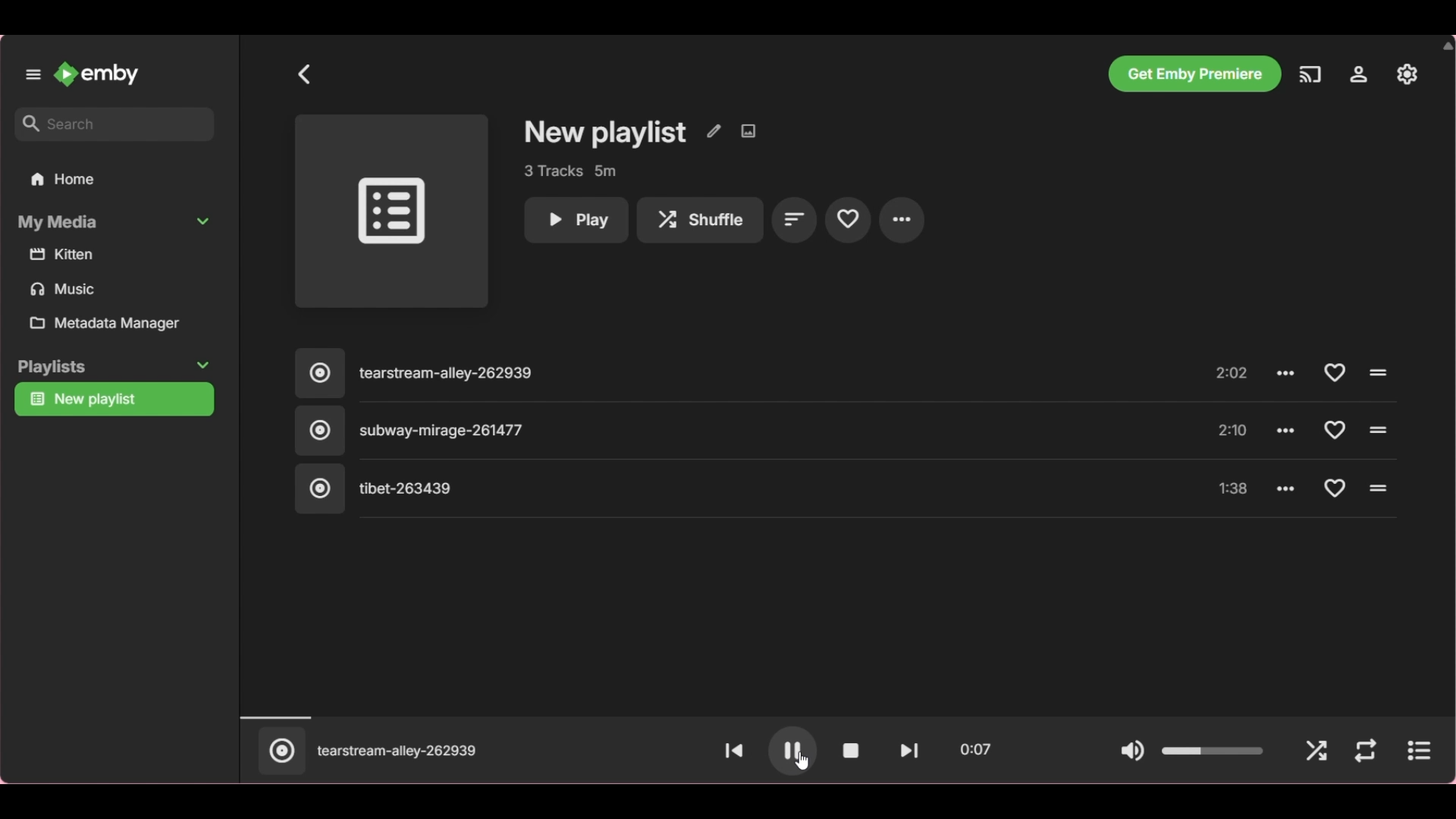 This screenshot has width=1456, height=819. What do you see at coordinates (1286, 487) in the screenshot?
I see `Click to see more options for  song` at bounding box center [1286, 487].